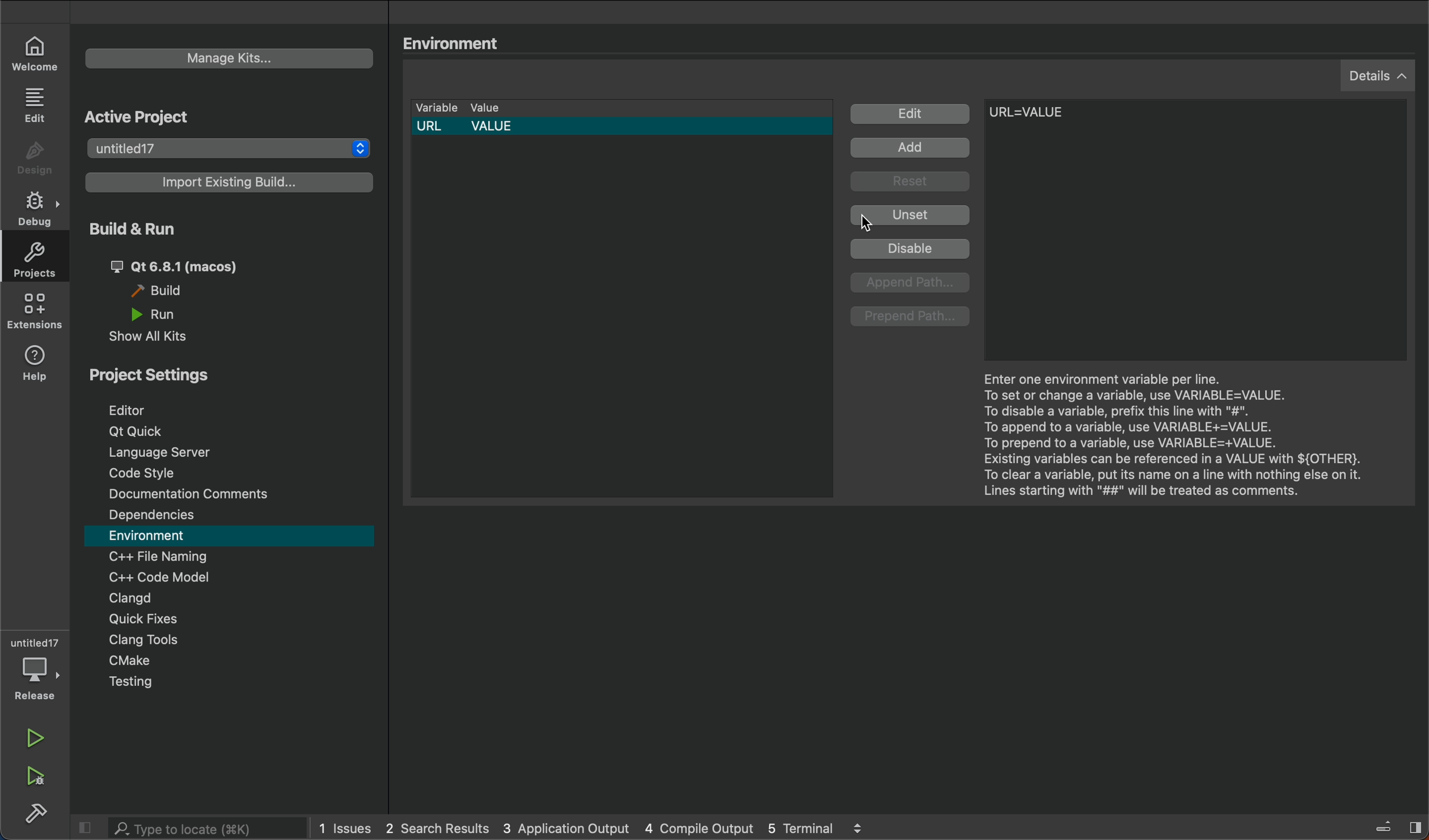 The height and width of the screenshot is (840, 1429). What do you see at coordinates (154, 473) in the screenshot?
I see `code style` at bounding box center [154, 473].